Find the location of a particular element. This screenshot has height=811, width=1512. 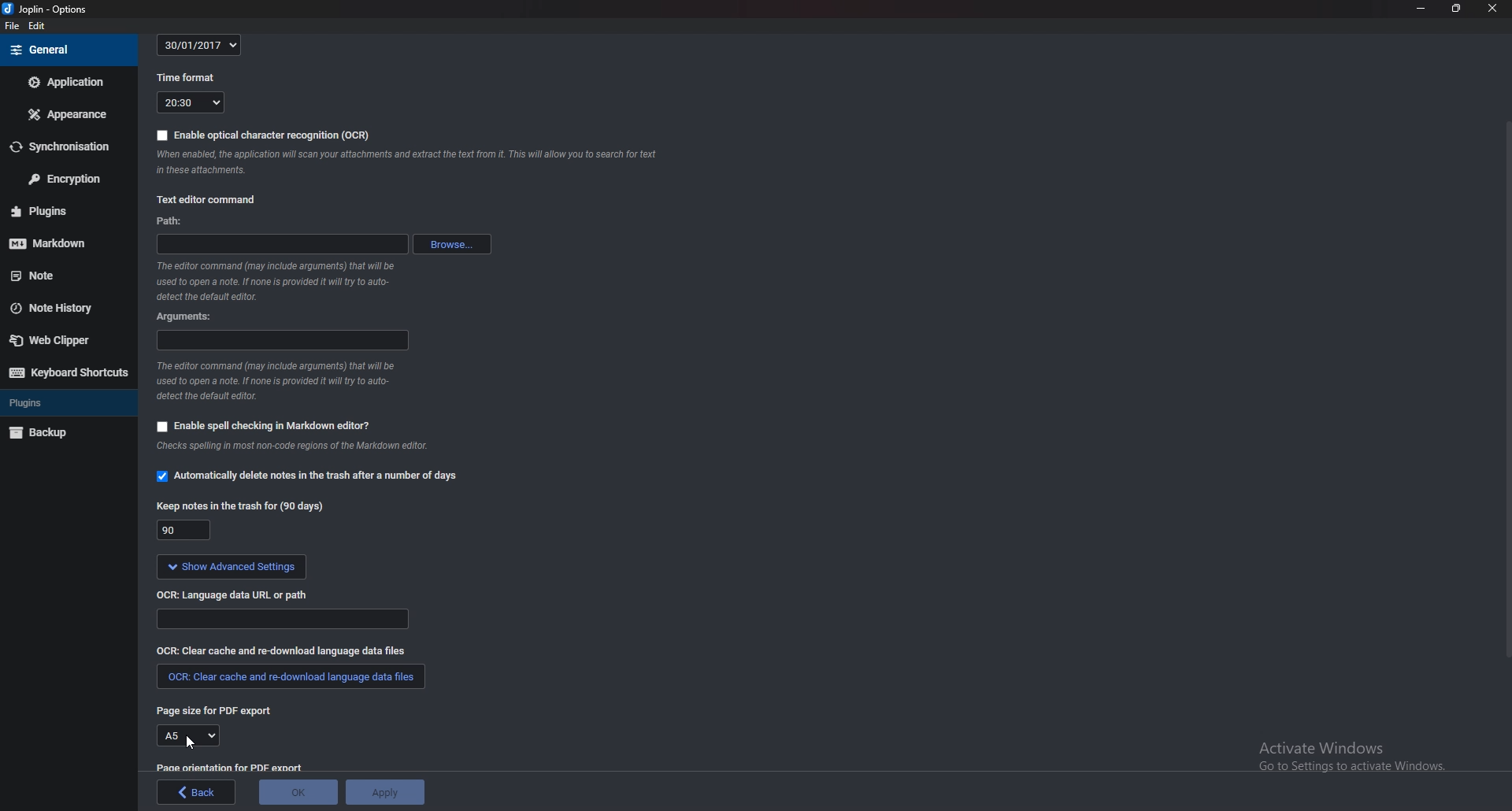

note is located at coordinates (54, 276).